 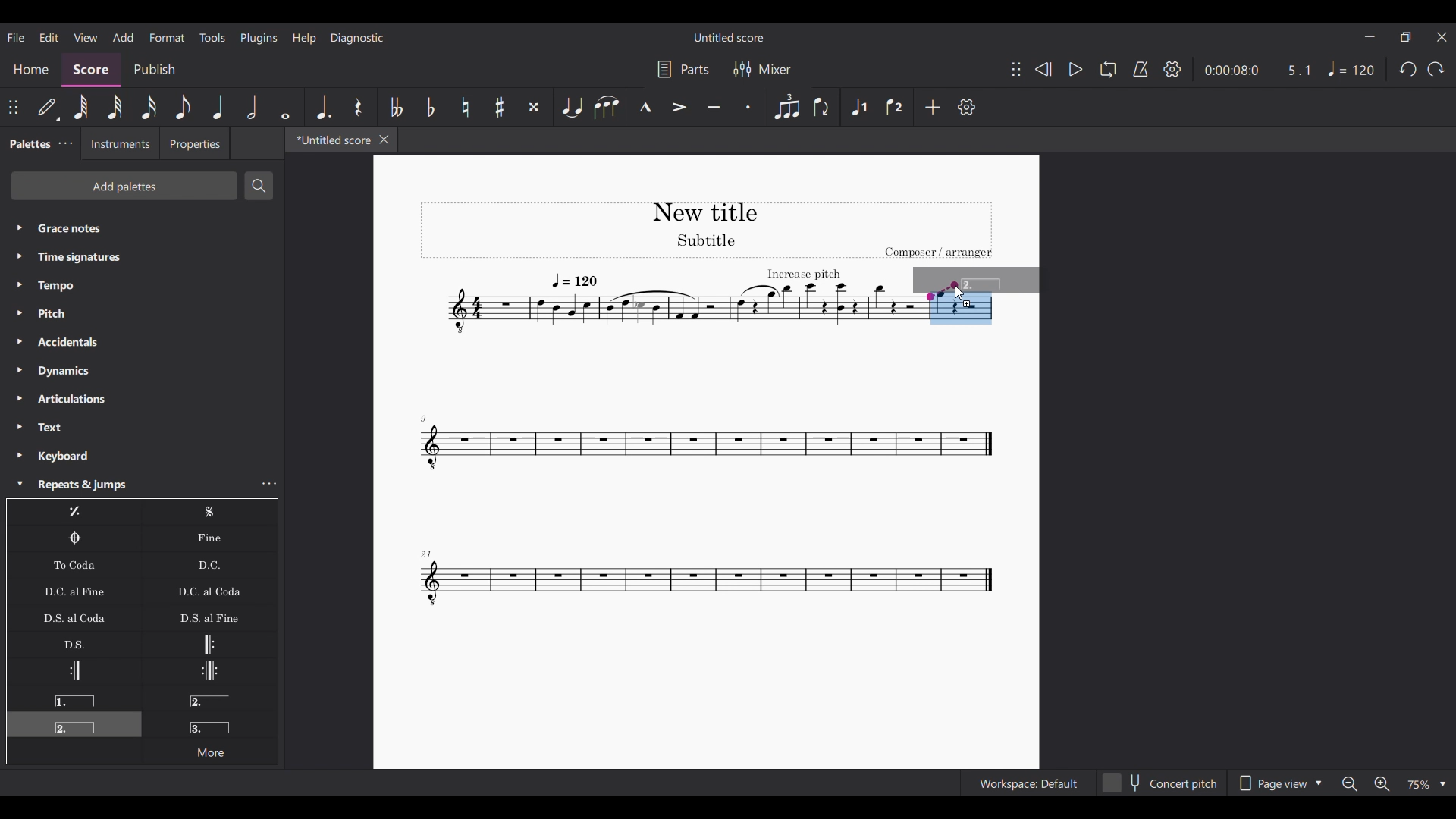 I want to click on Seconda volta, current selection highlighted, so click(x=74, y=724).